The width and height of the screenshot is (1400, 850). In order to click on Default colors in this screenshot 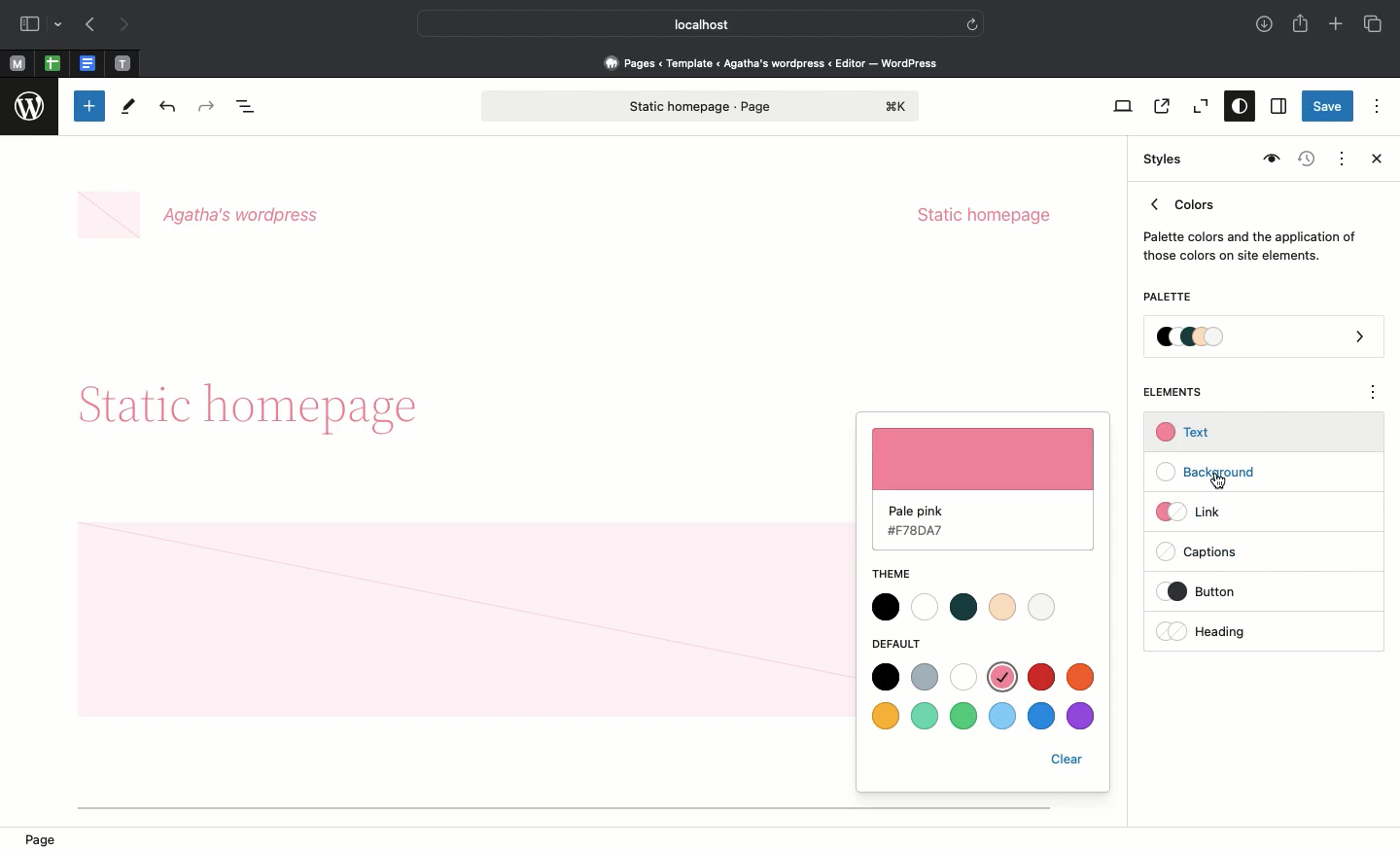, I will do `click(986, 699)`.